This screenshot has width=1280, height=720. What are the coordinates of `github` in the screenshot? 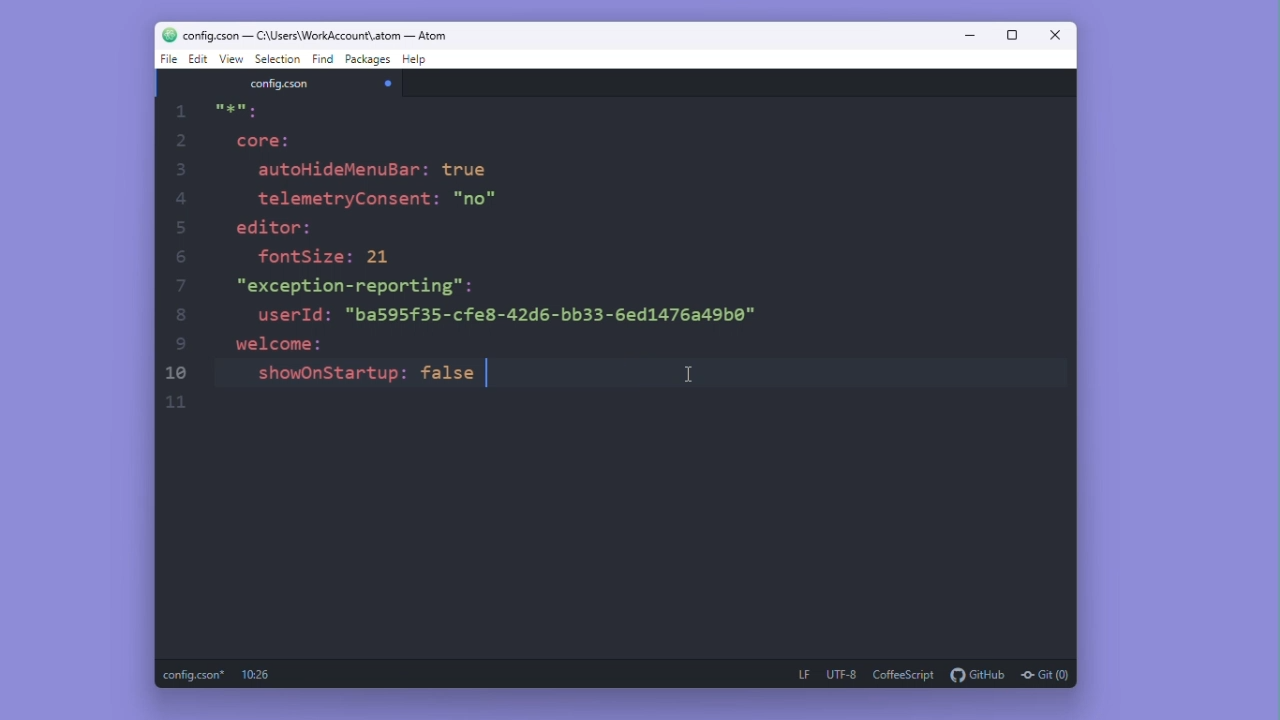 It's located at (979, 675).